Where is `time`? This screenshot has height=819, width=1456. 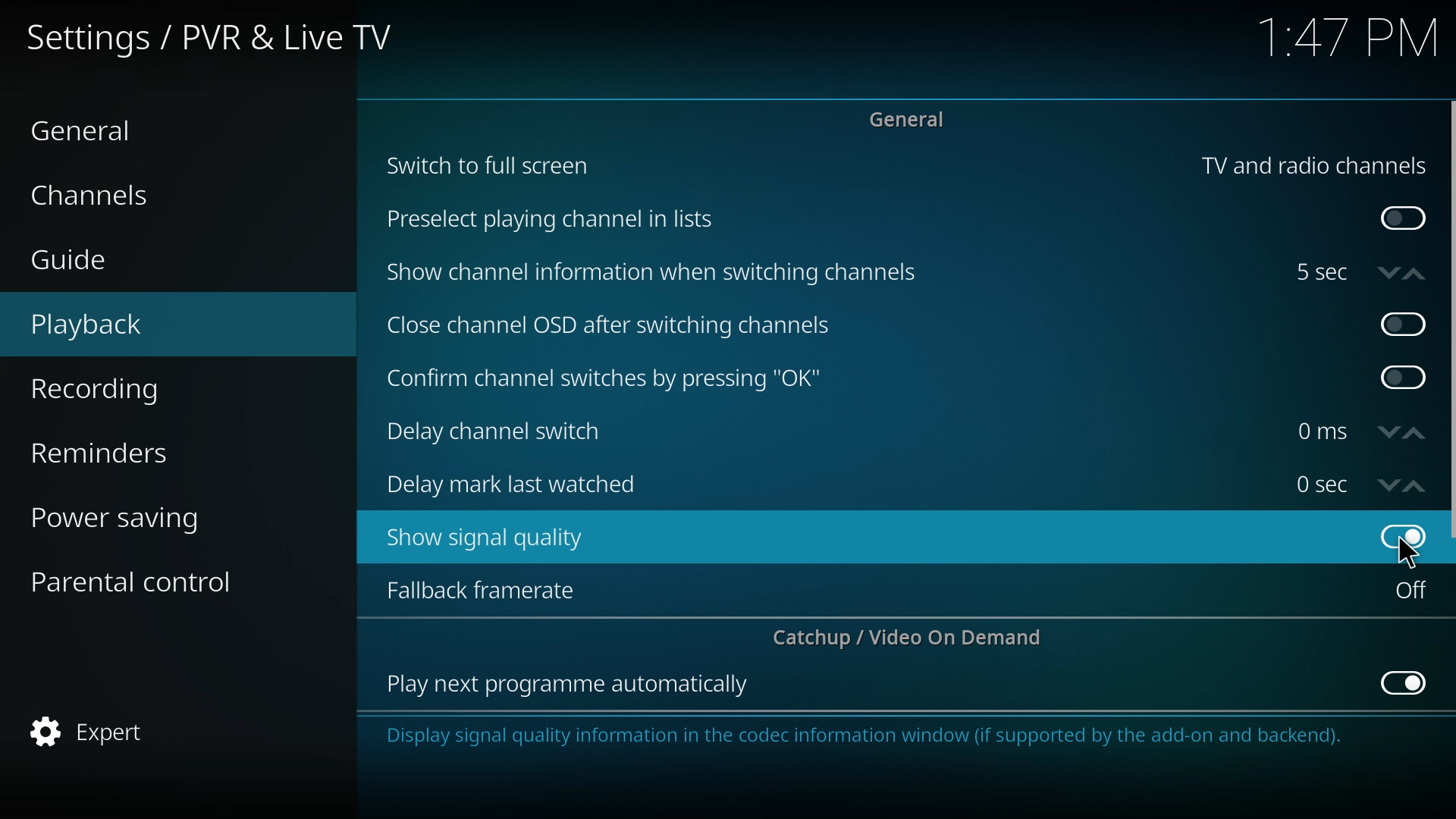 time is located at coordinates (1322, 484).